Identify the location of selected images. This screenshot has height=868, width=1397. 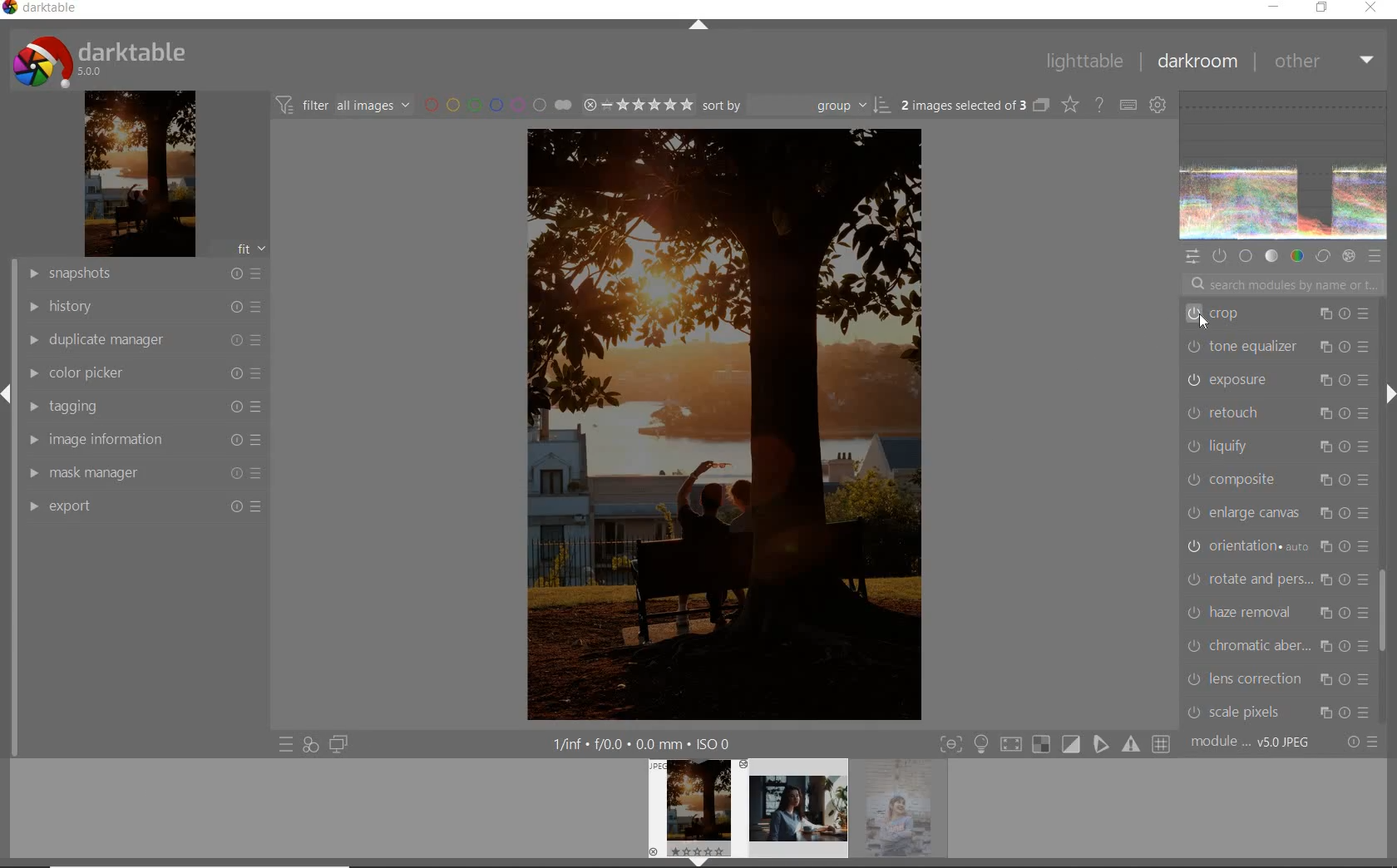
(962, 105).